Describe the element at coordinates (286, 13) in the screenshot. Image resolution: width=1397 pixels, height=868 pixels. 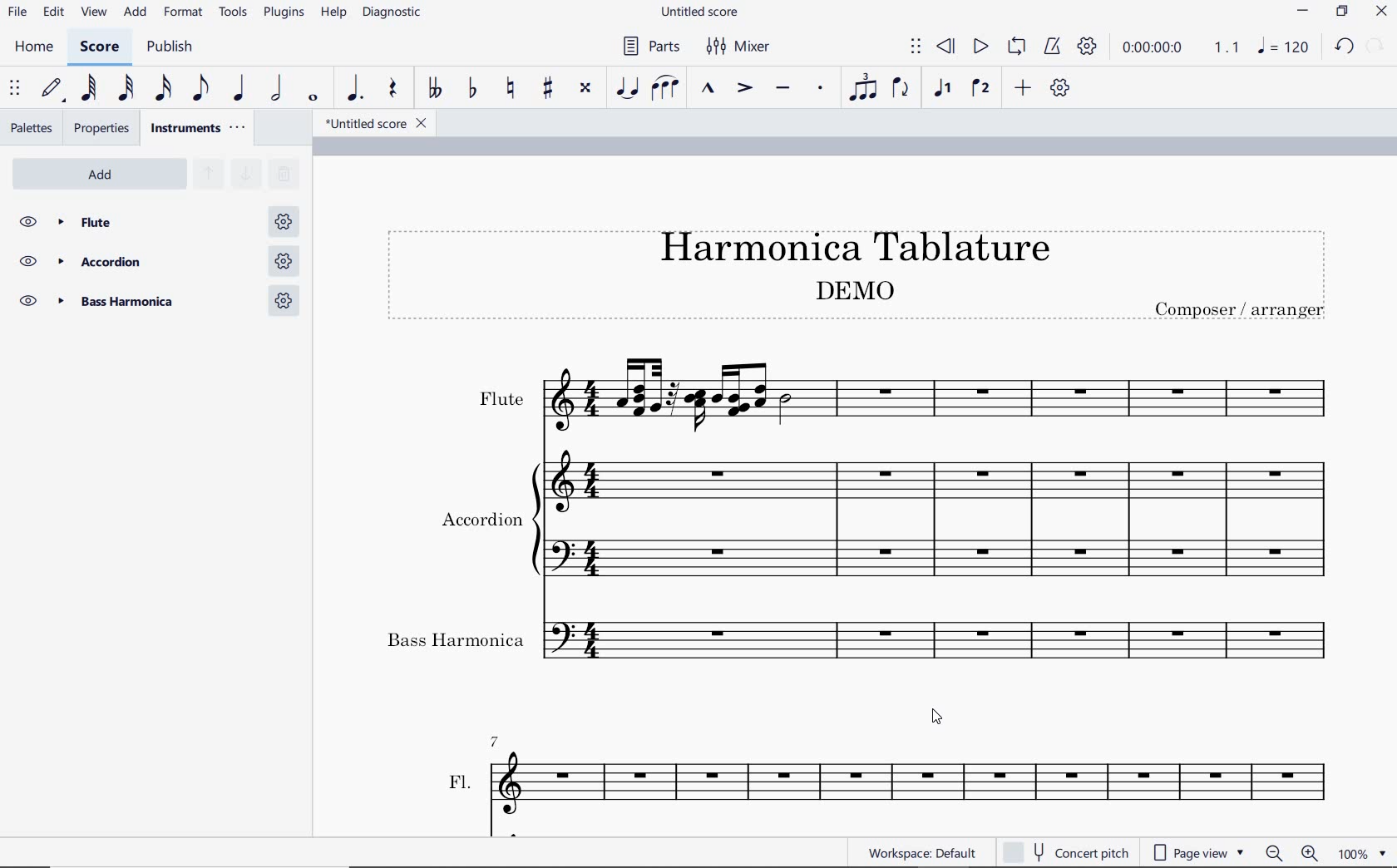
I see `PLUGINS` at that location.